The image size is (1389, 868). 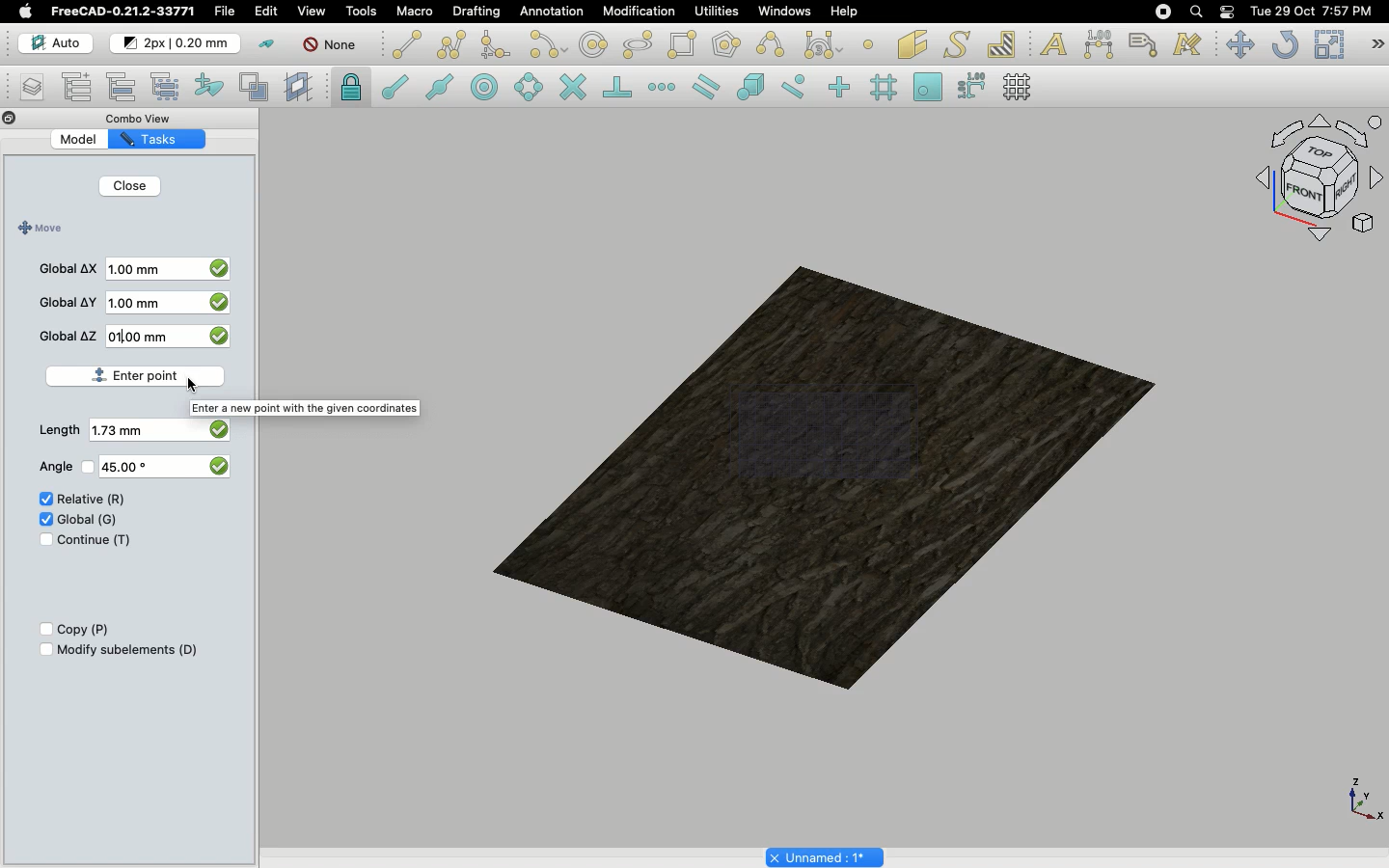 What do you see at coordinates (43, 650) in the screenshot?
I see `Checkbox` at bounding box center [43, 650].